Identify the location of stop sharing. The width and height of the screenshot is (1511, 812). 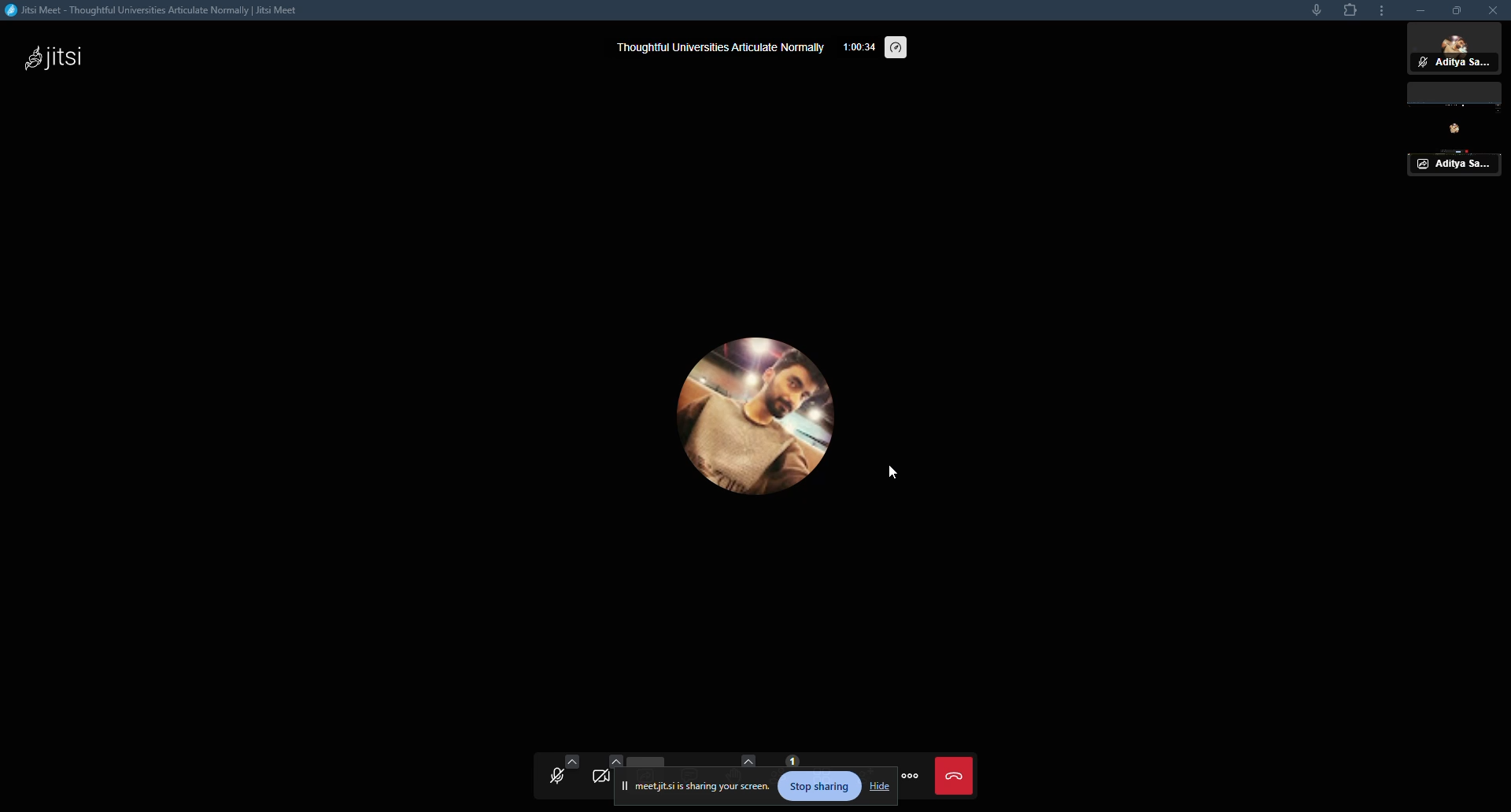
(822, 785).